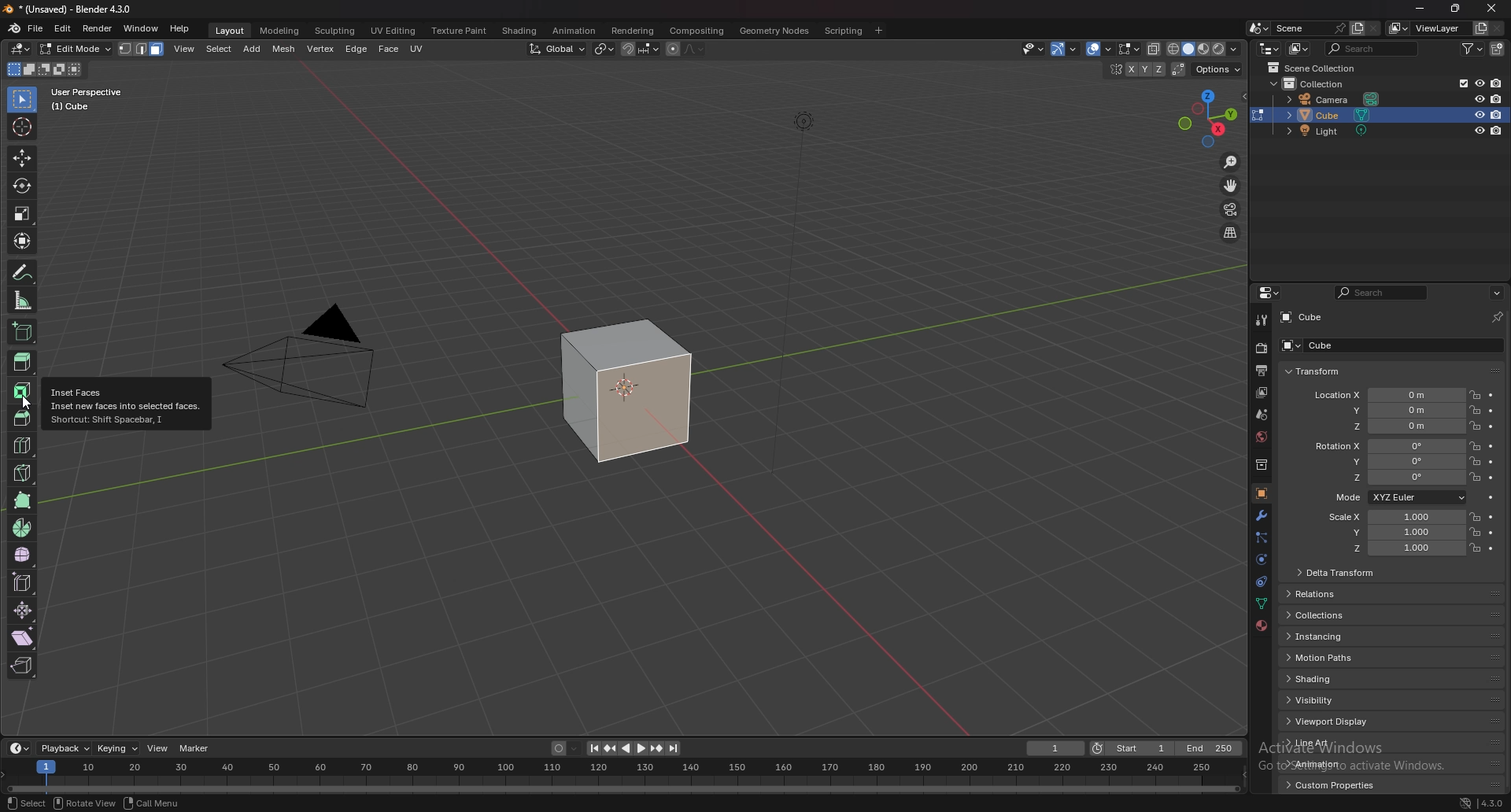 The width and height of the screenshot is (1511, 812). I want to click on cube, so click(628, 392).